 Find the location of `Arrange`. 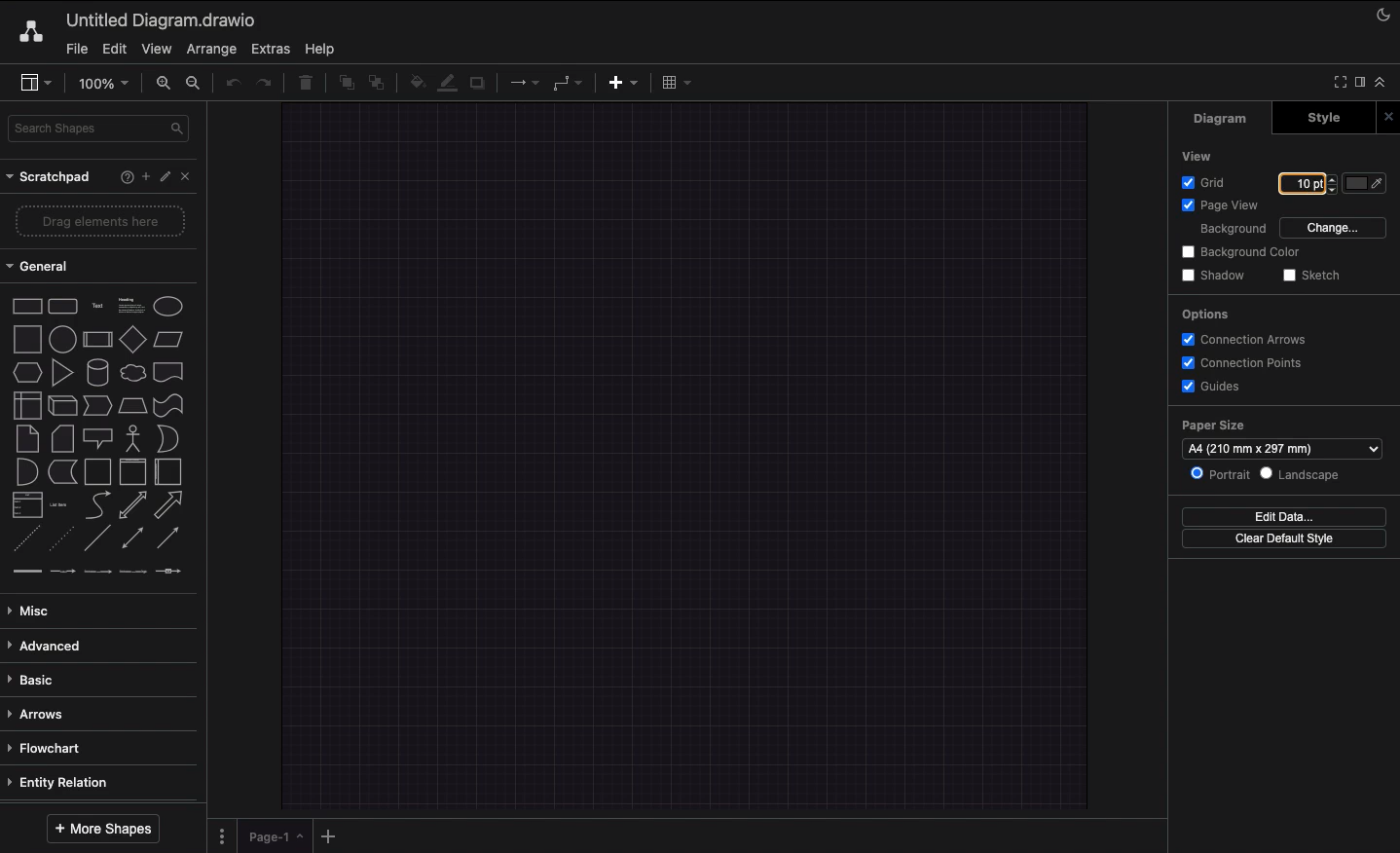

Arrange is located at coordinates (210, 48).